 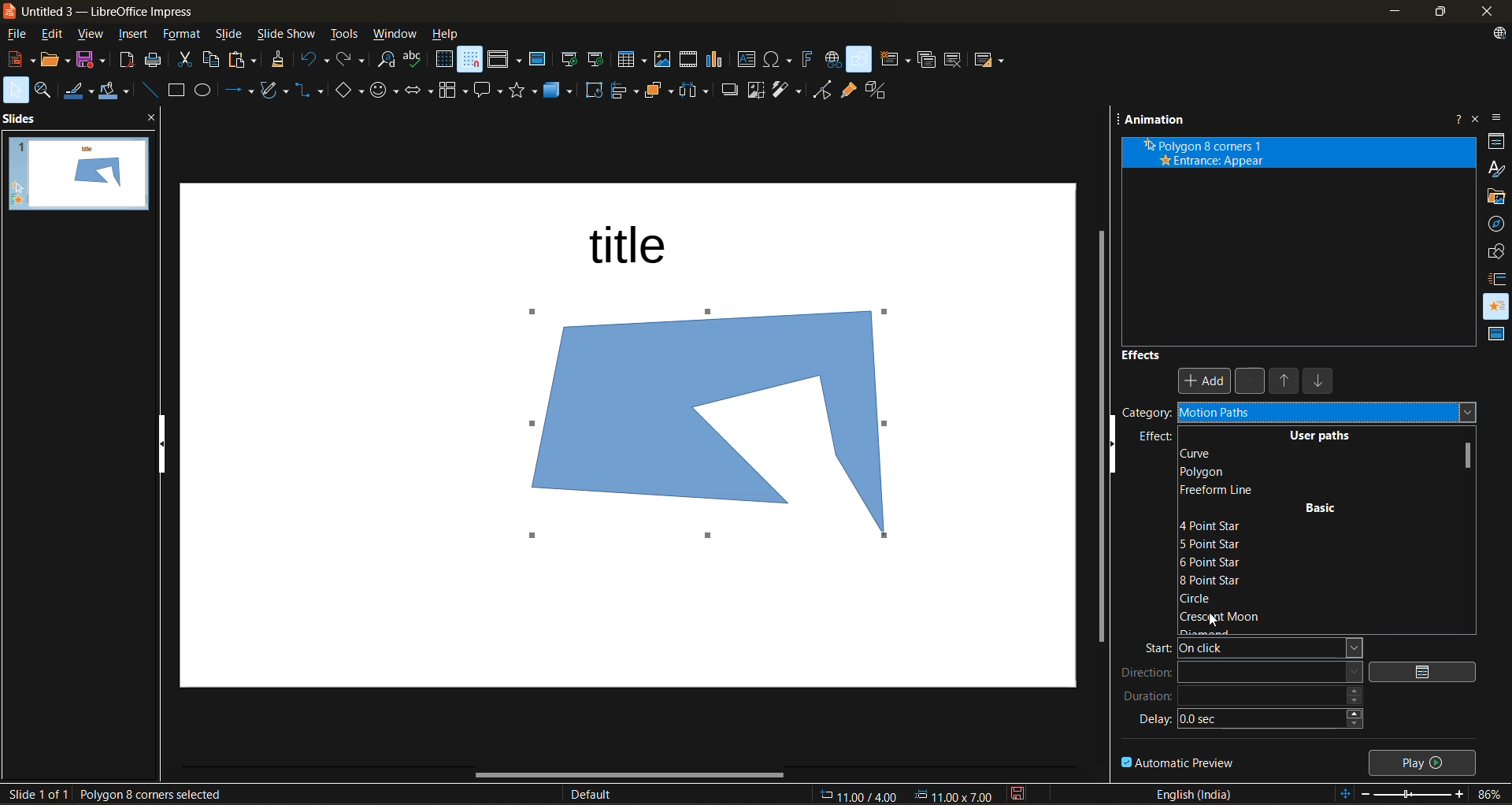 What do you see at coordinates (893, 59) in the screenshot?
I see `new slide` at bounding box center [893, 59].